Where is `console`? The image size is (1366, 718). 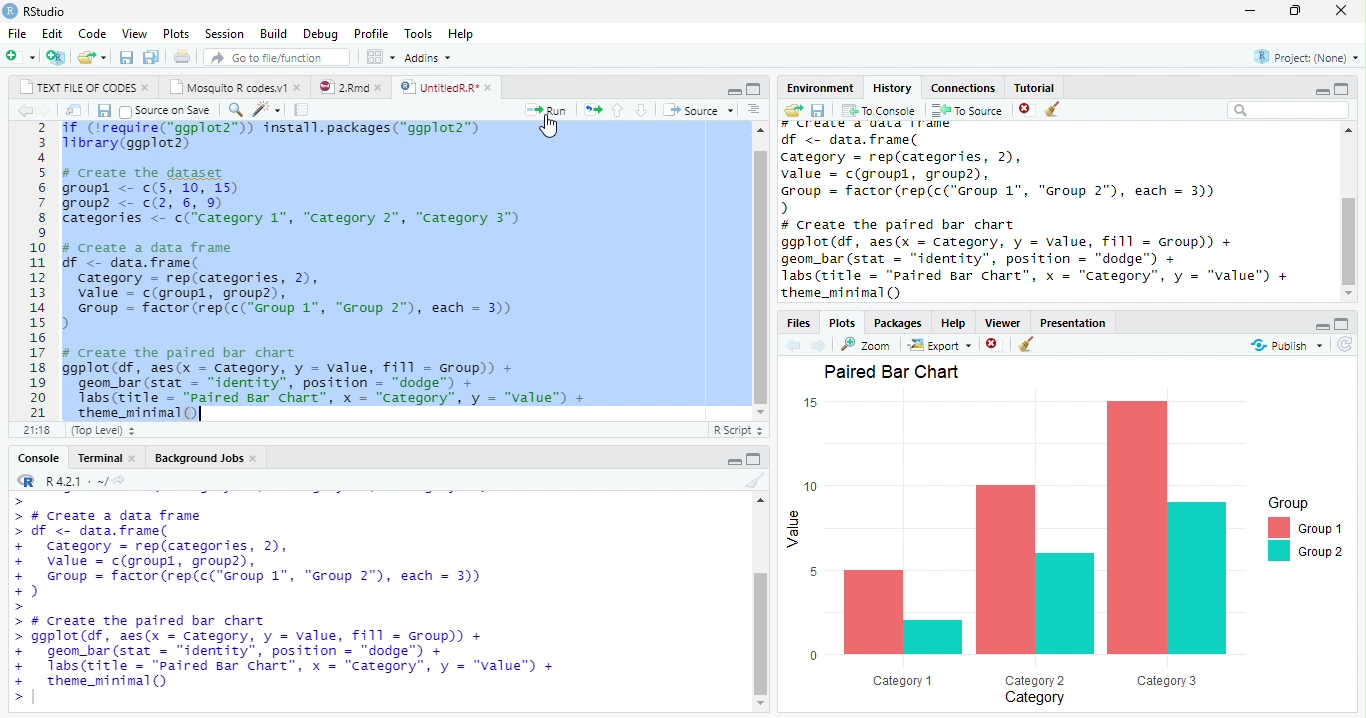 console is located at coordinates (38, 458).